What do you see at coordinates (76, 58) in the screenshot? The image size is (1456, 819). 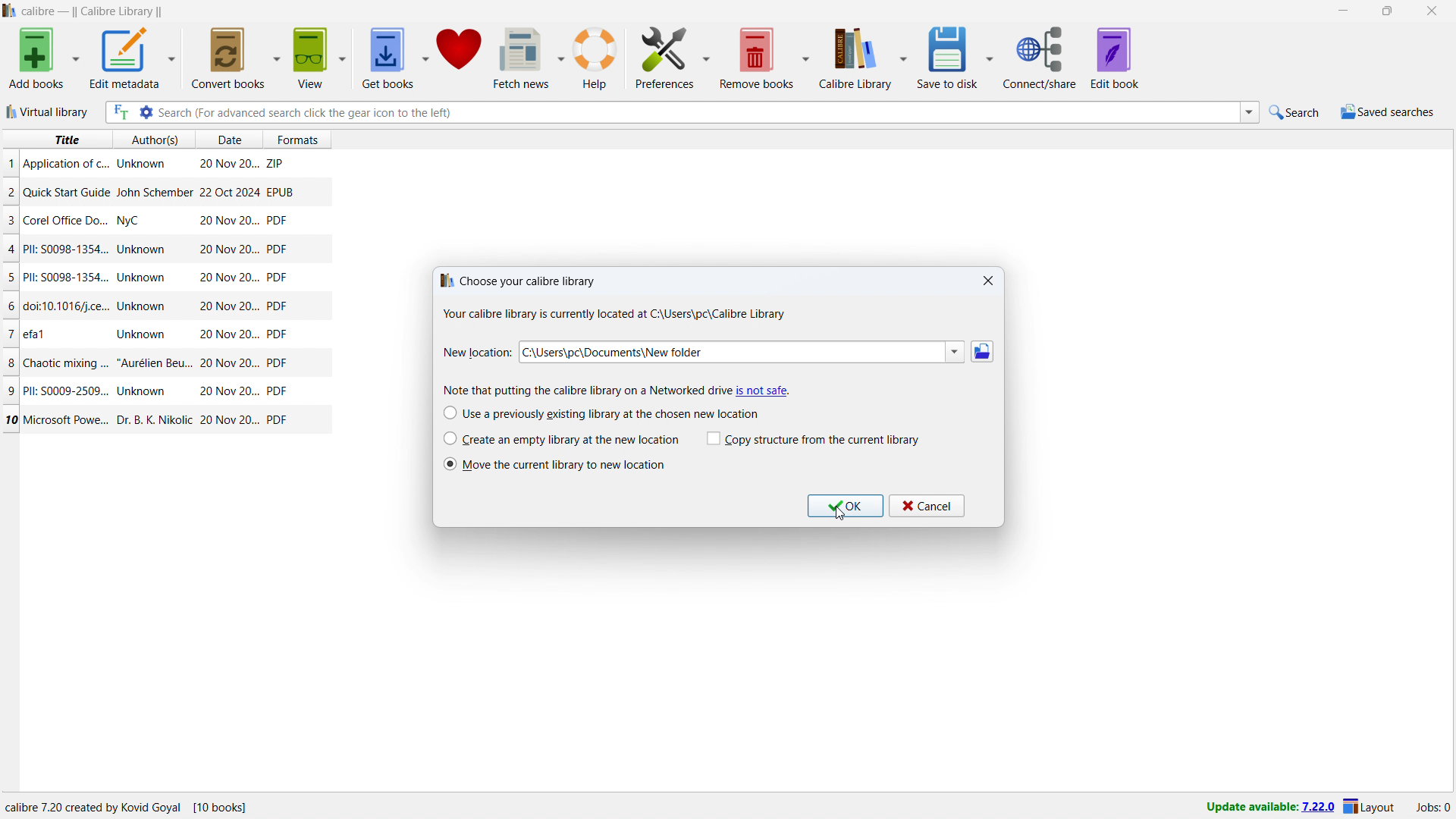 I see `add books options` at bounding box center [76, 58].